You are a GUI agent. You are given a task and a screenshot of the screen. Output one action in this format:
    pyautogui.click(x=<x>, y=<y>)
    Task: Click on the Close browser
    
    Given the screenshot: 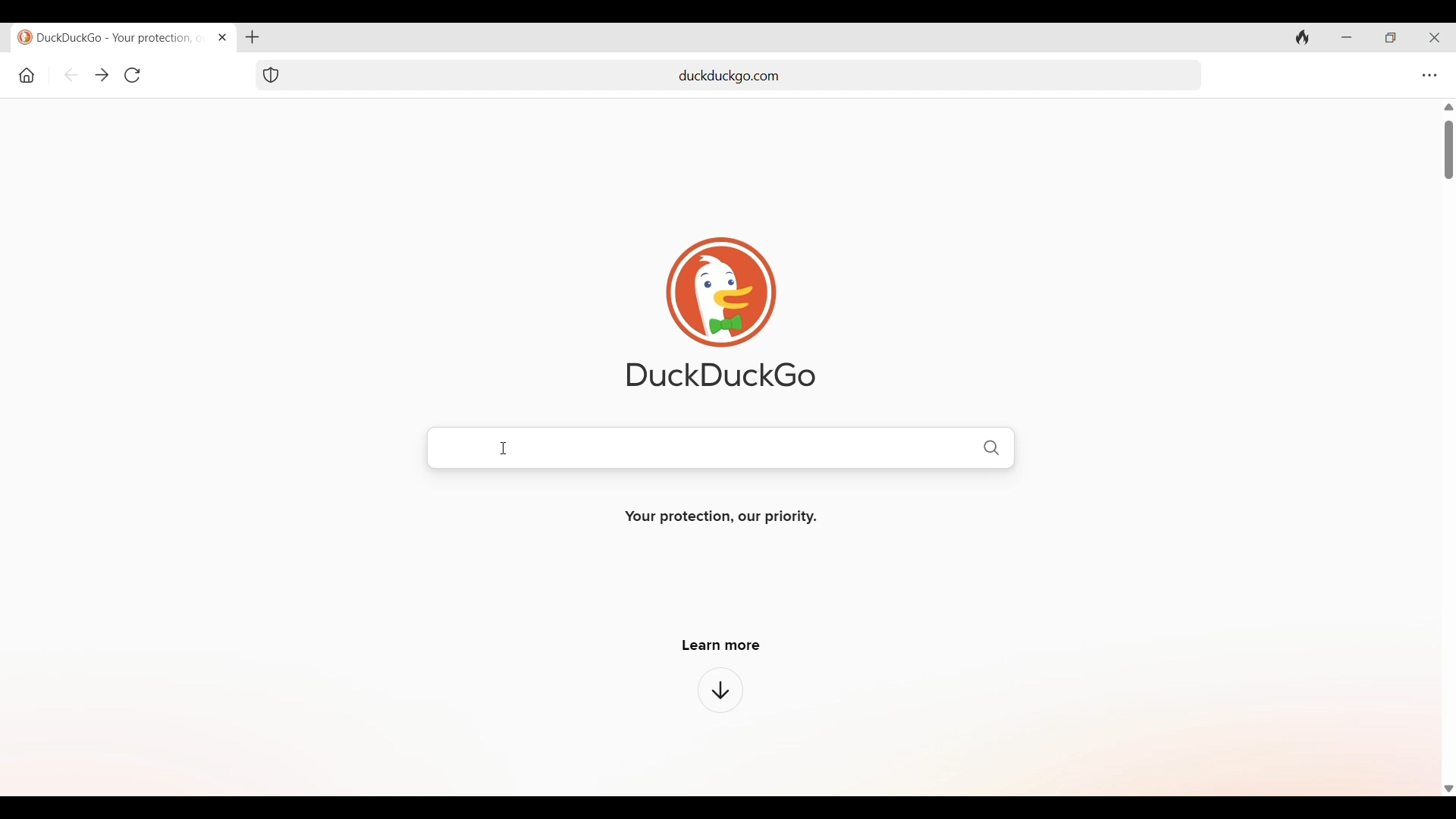 What is the action you would take?
    pyautogui.click(x=1435, y=37)
    